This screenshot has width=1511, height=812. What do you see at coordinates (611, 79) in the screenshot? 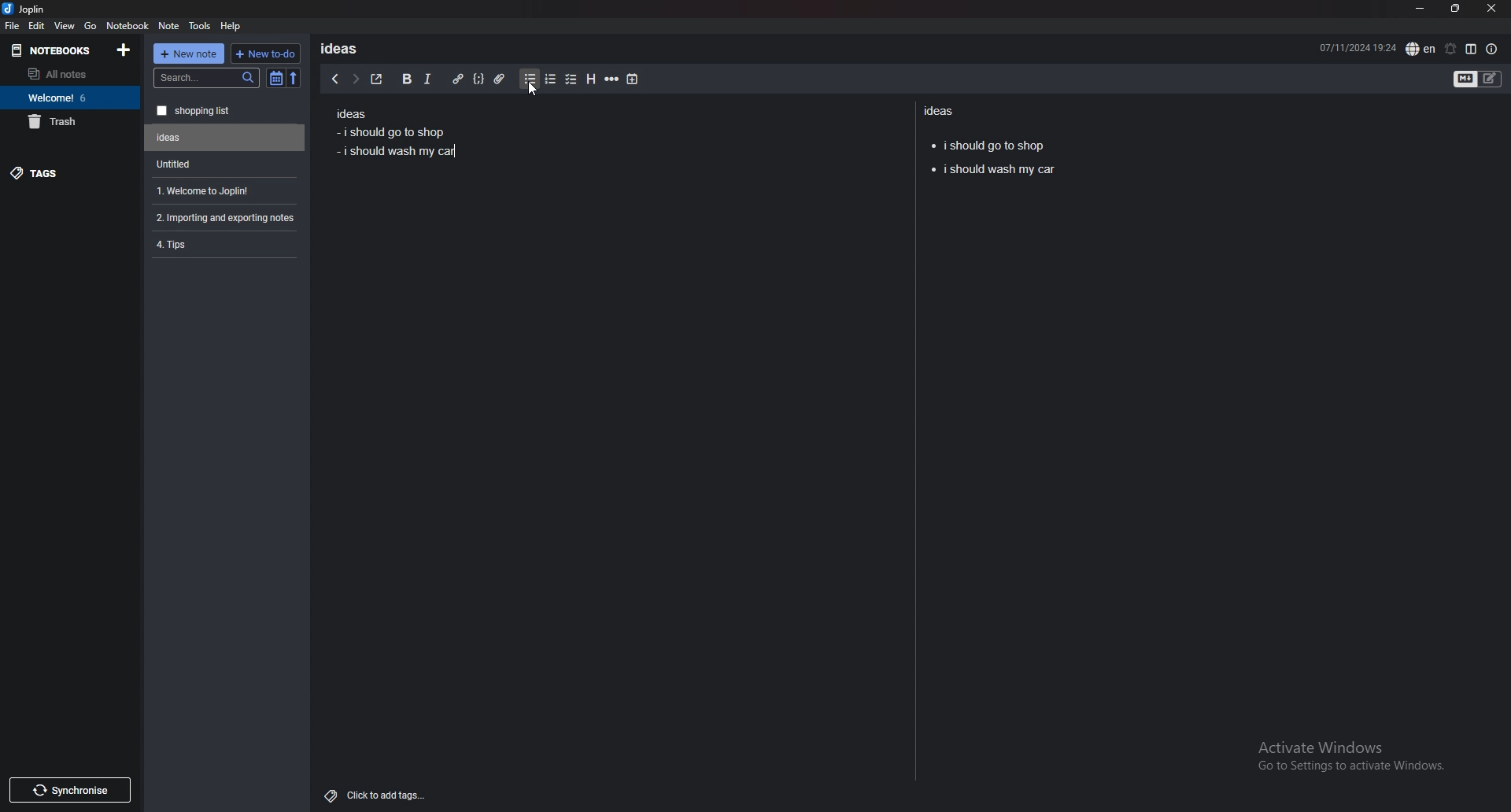
I see `horizontal rule` at bounding box center [611, 79].